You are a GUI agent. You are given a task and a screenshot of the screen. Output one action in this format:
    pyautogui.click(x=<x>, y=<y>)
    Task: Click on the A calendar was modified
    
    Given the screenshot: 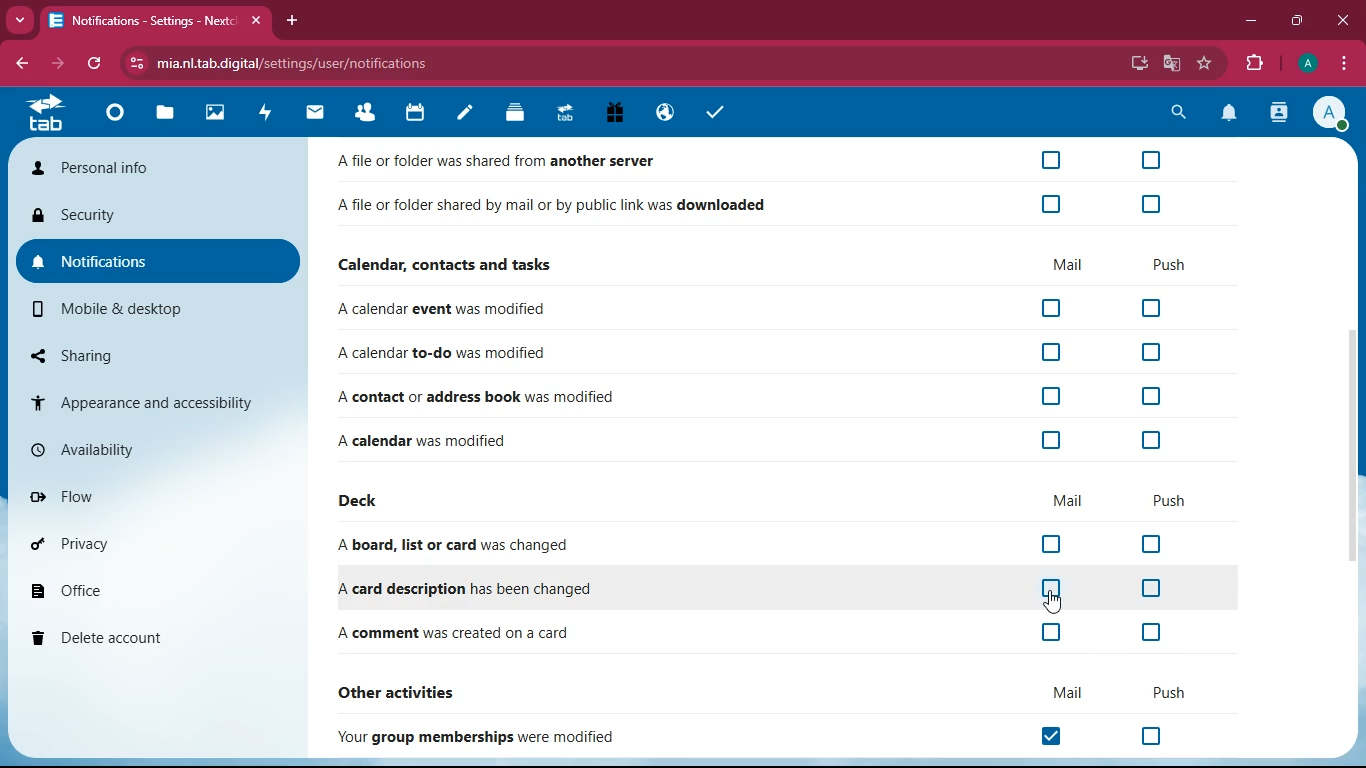 What is the action you would take?
    pyautogui.click(x=445, y=438)
    